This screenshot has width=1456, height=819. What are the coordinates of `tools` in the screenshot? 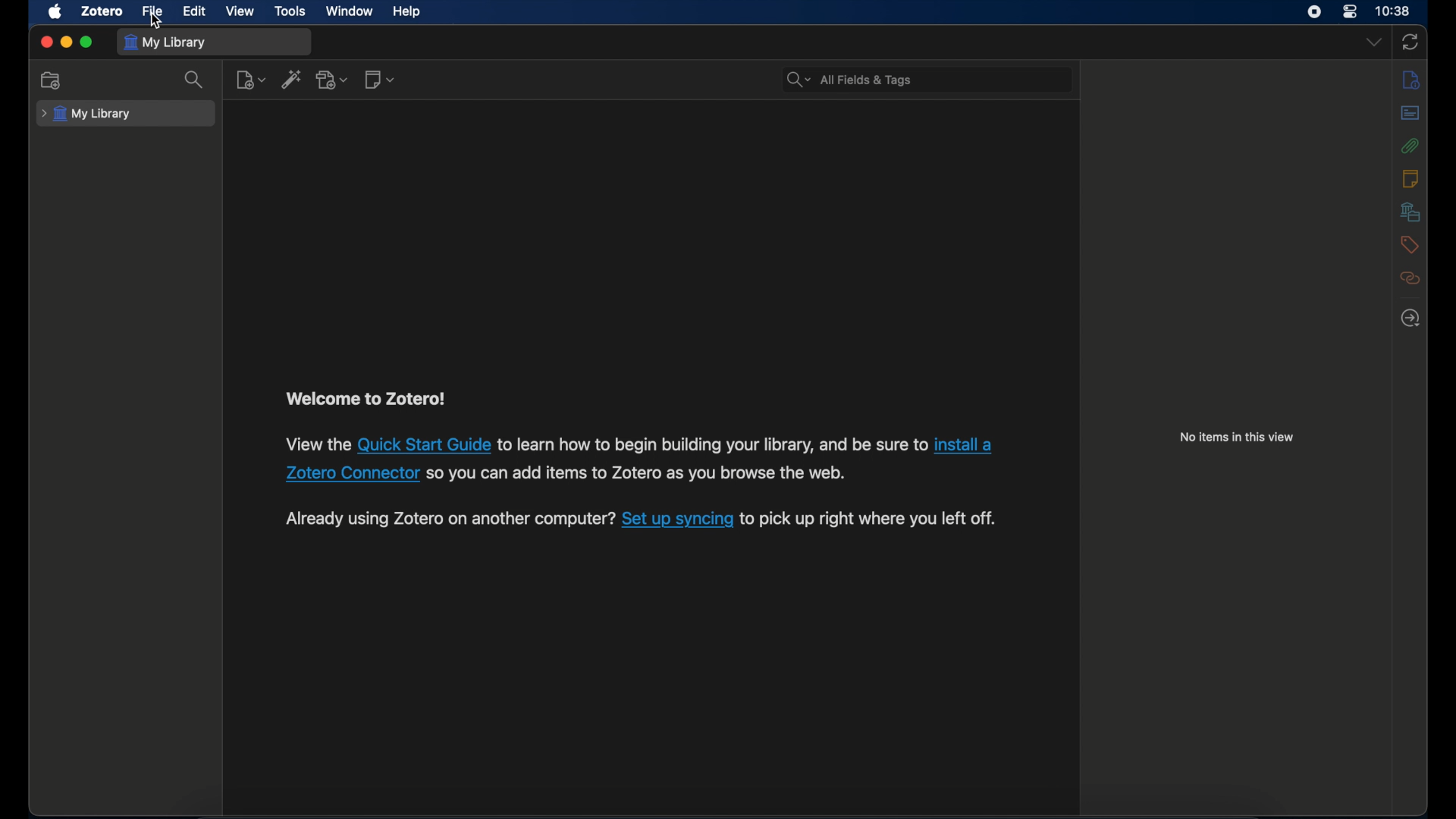 It's located at (291, 12).